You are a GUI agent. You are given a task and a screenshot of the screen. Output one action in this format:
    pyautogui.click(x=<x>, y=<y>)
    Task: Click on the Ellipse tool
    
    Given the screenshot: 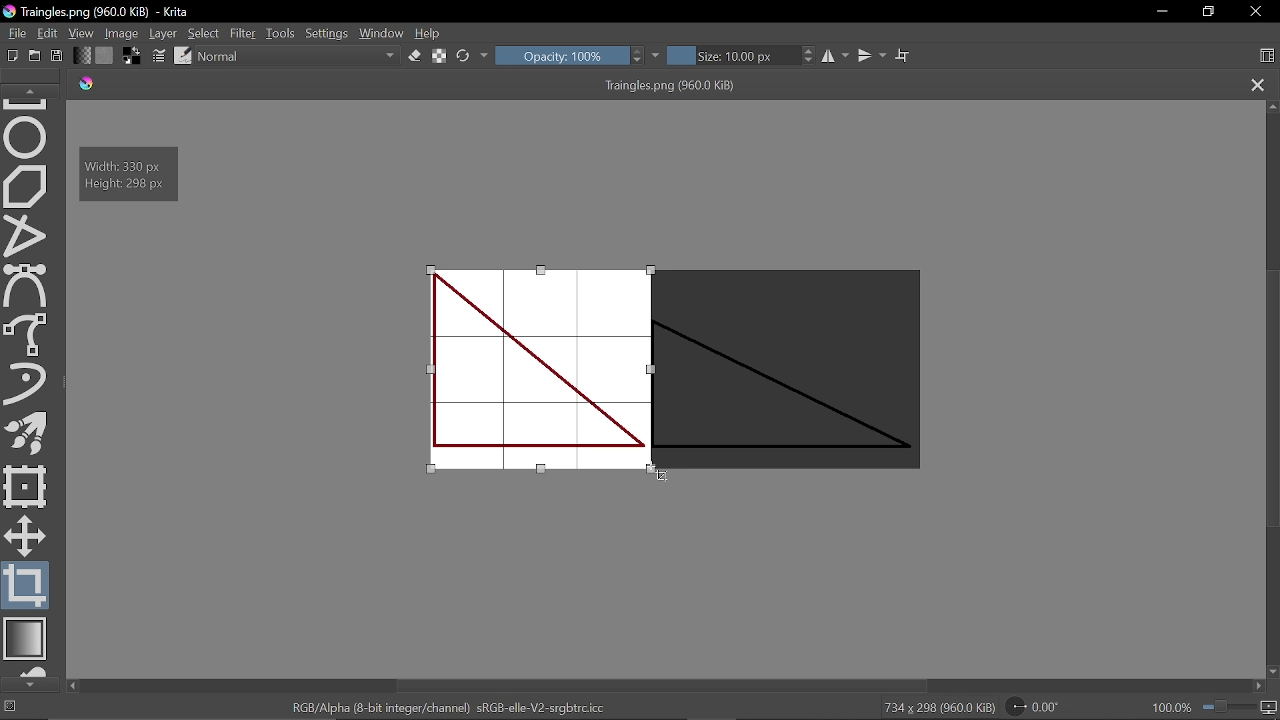 What is the action you would take?
    pyautogui.click(x=27, y=136)
    